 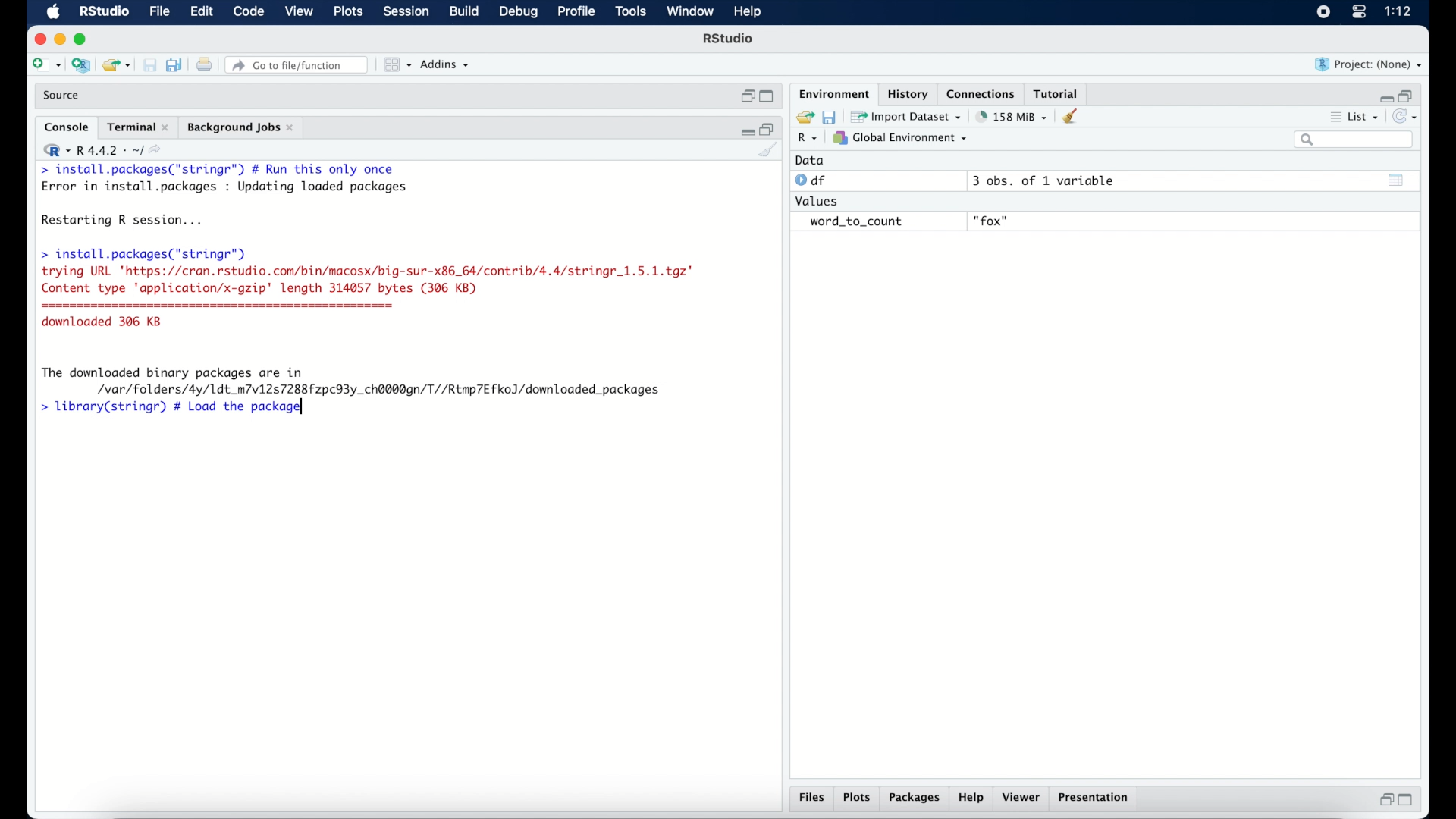 What do you see at coordinates (857, 799) in the screenshot?
I see `plots` at bounding box center [857, 799].